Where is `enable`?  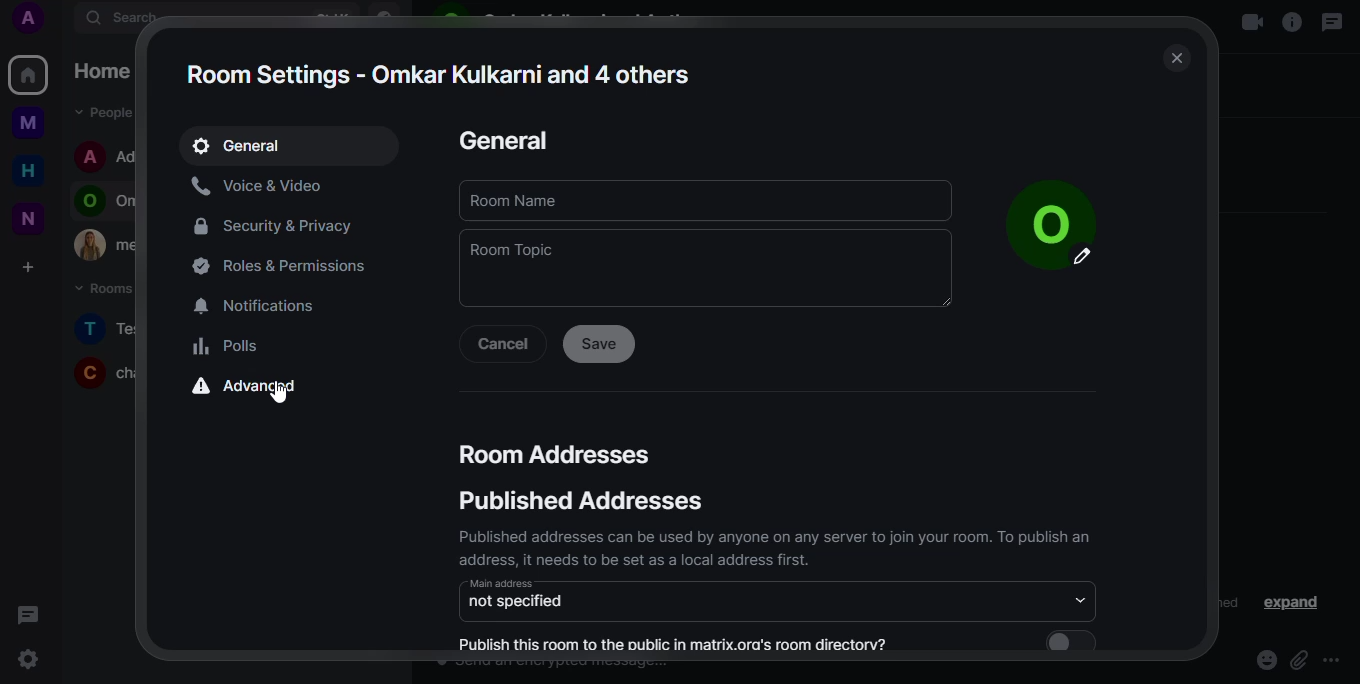 enable is located at coordinates (1067, 641).